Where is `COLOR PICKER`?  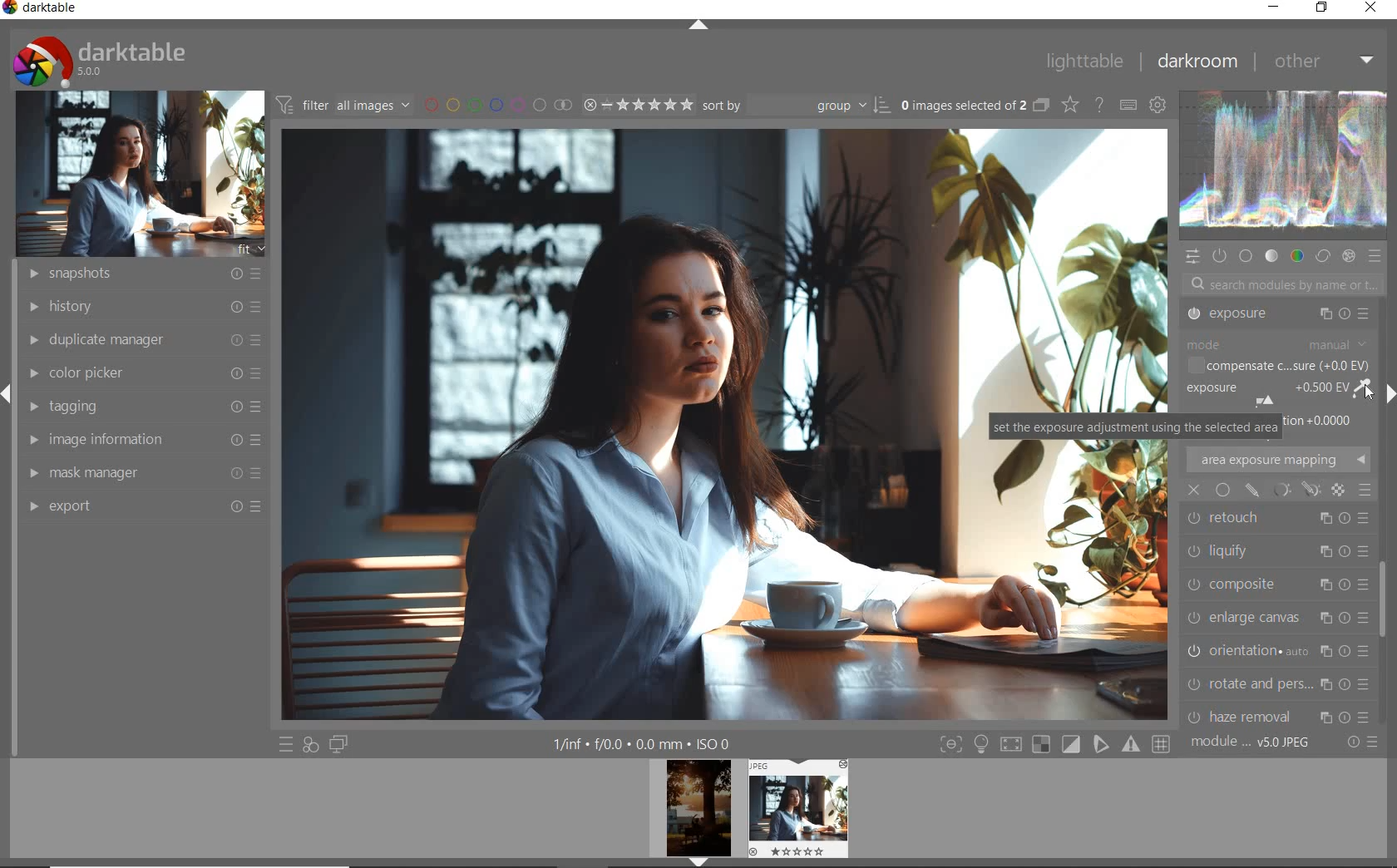 COLOR PICKER is located at coordinates (146, 370).